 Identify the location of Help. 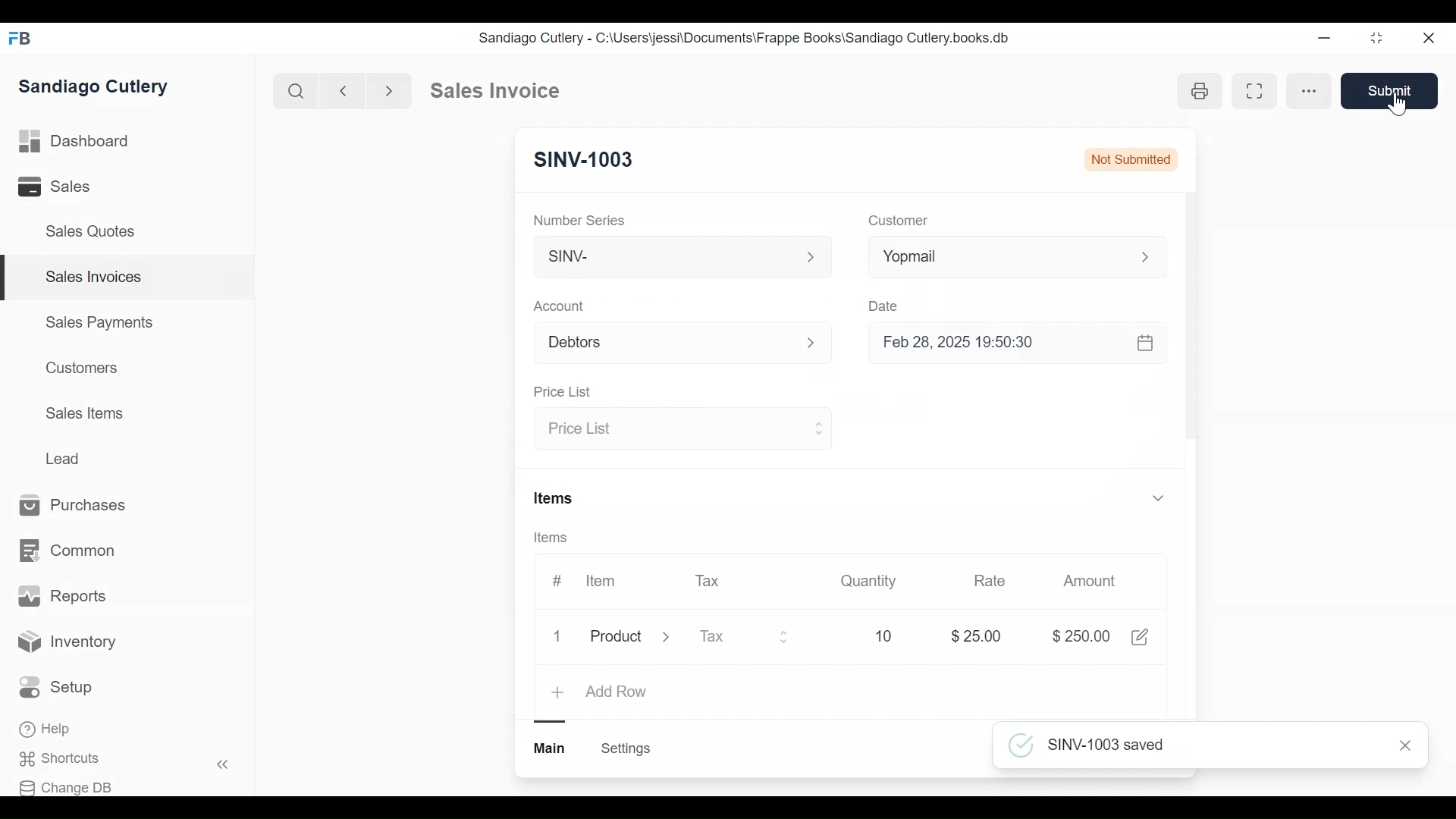
(46, 729).